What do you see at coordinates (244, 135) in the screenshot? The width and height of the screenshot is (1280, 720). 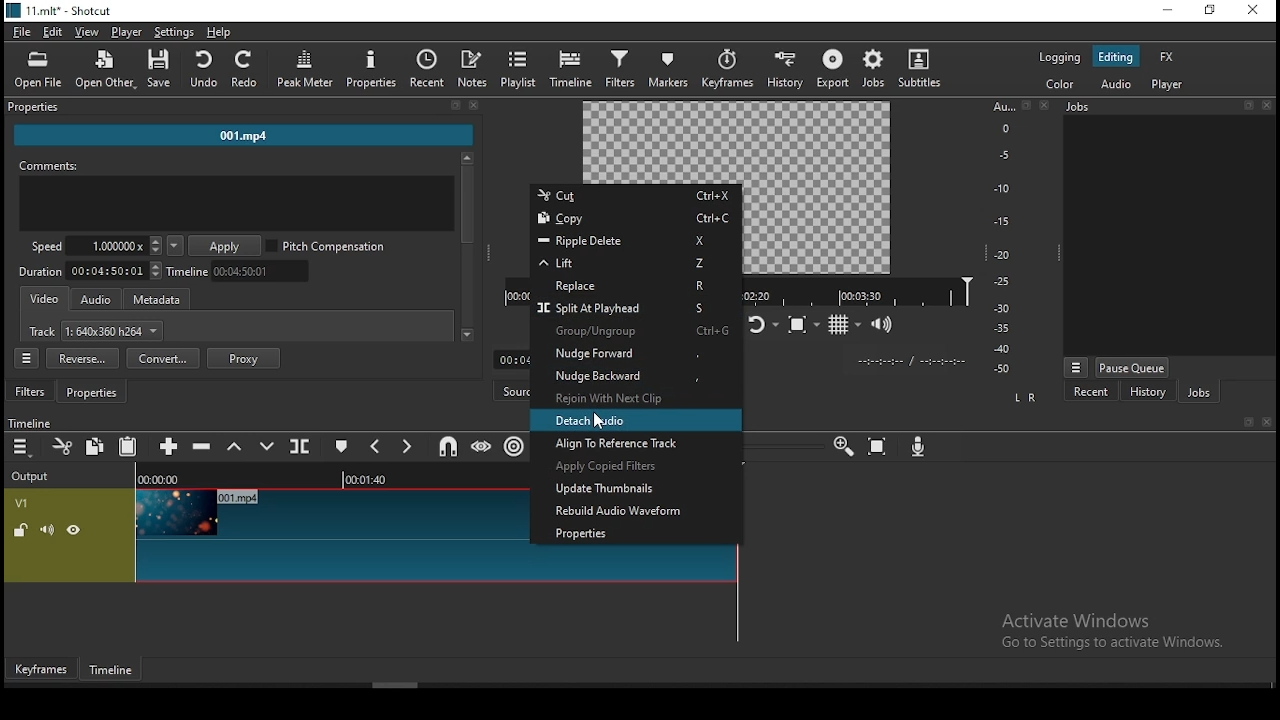 I see `001.mp4` at bounding box center [244, 135].